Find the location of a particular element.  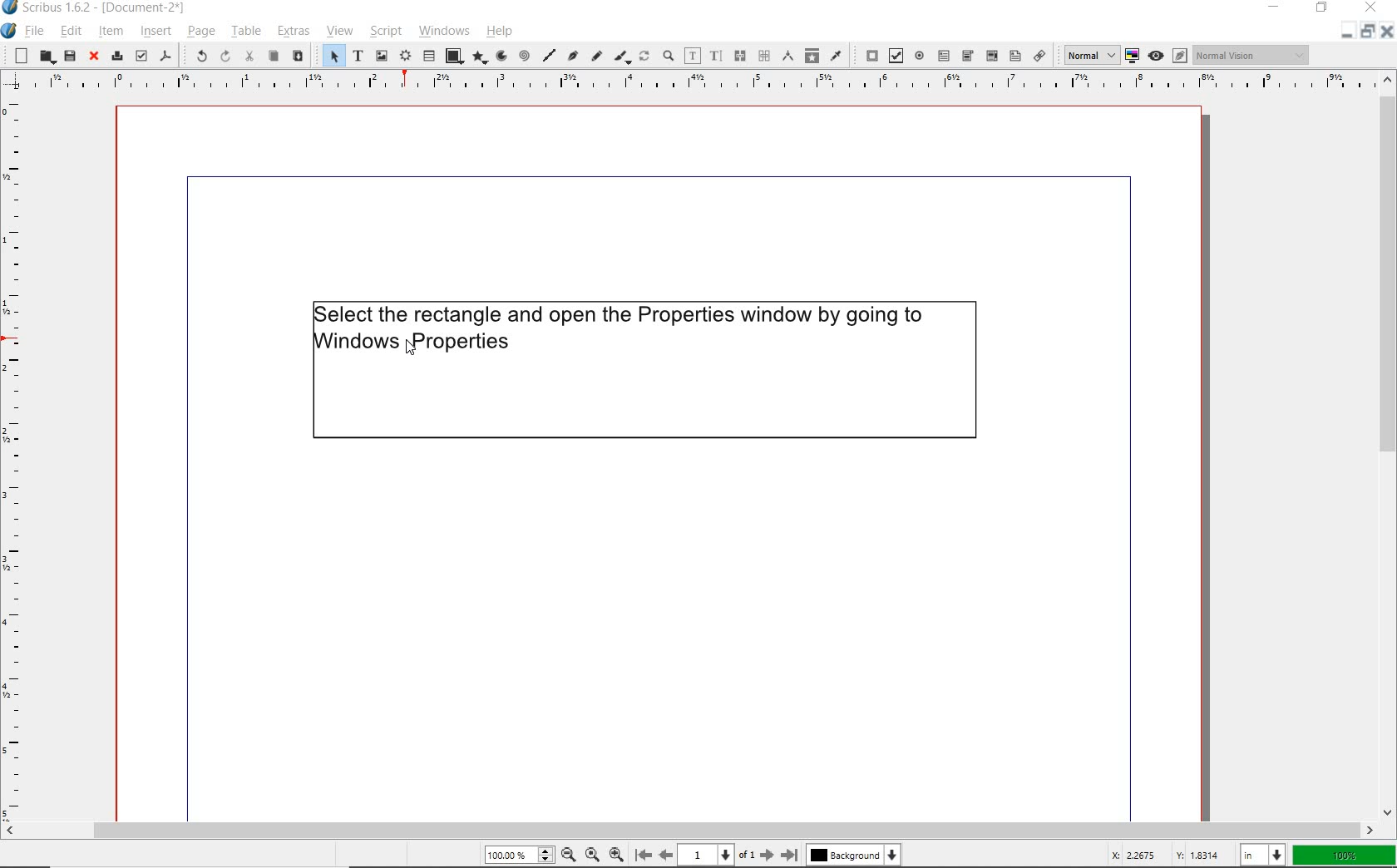

go to next page is located at coordinates (767, 854).